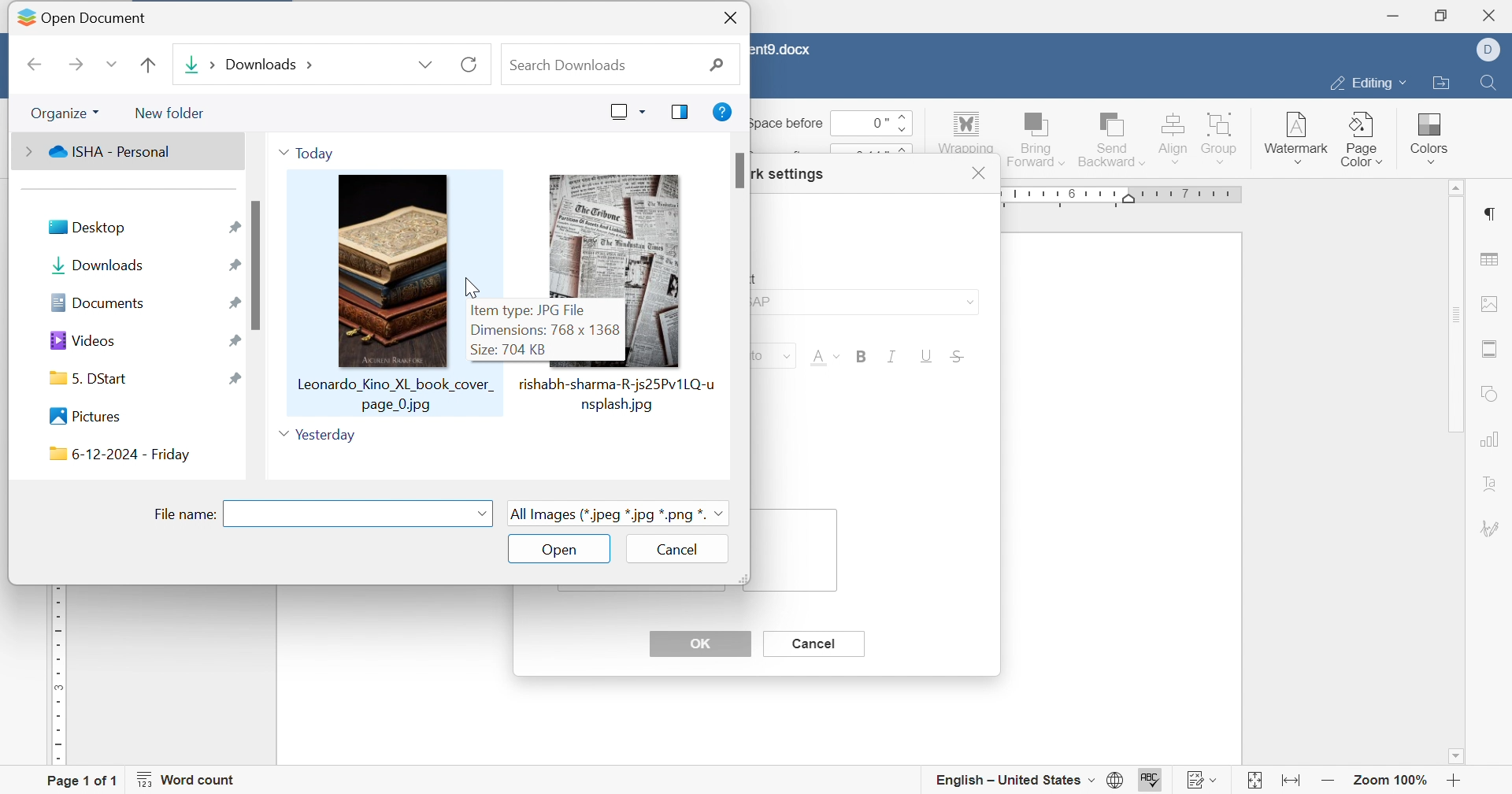 The width and height of the screenshot is (1512, 794). Describe the element at coordinates (1288, 784) in the screenshot. I see `fit to width` at that location.